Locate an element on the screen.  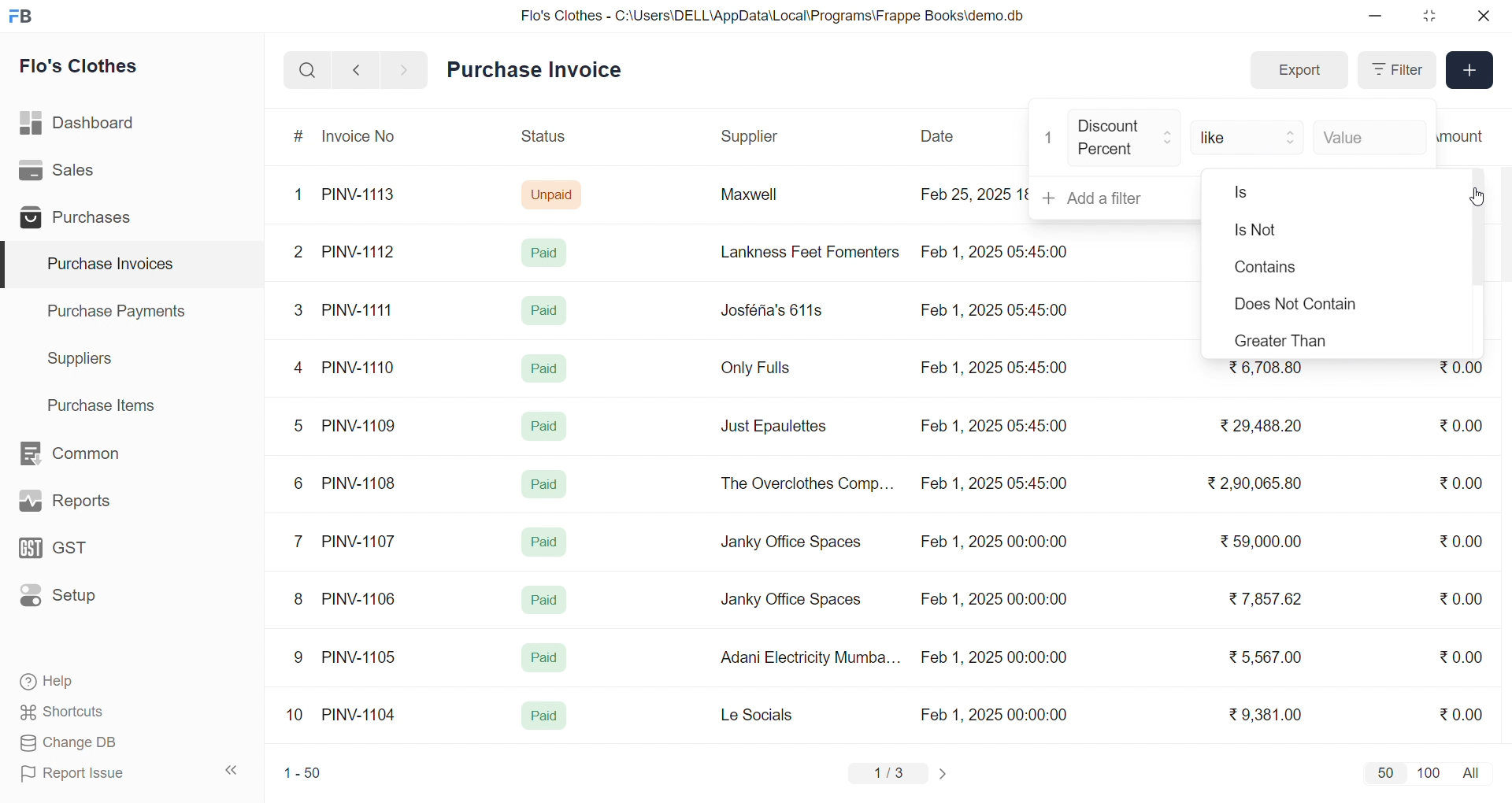
PINV-1104 is located at coordinates (361, 715).